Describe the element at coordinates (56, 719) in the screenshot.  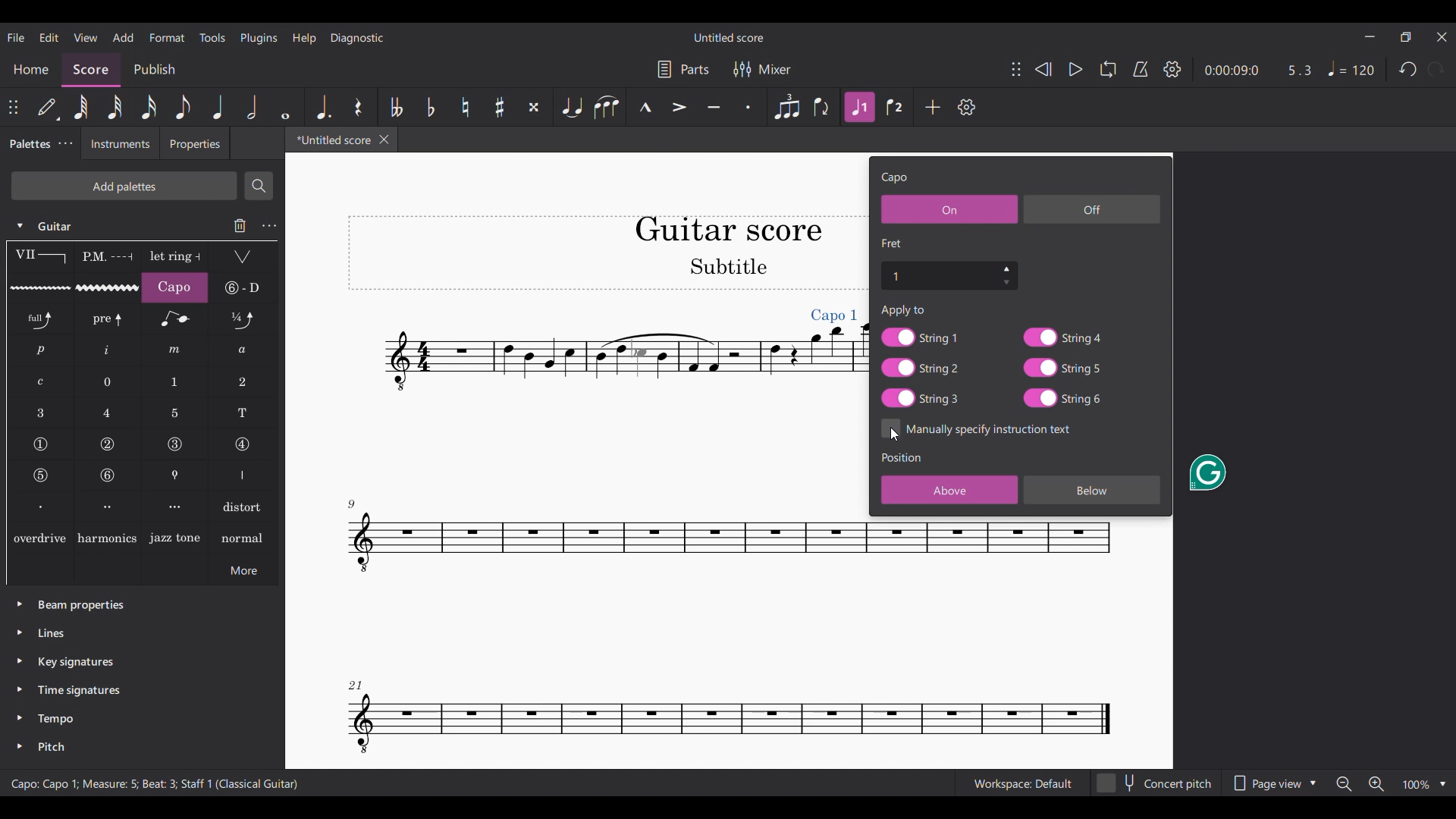
I see `Tempo` at that location.